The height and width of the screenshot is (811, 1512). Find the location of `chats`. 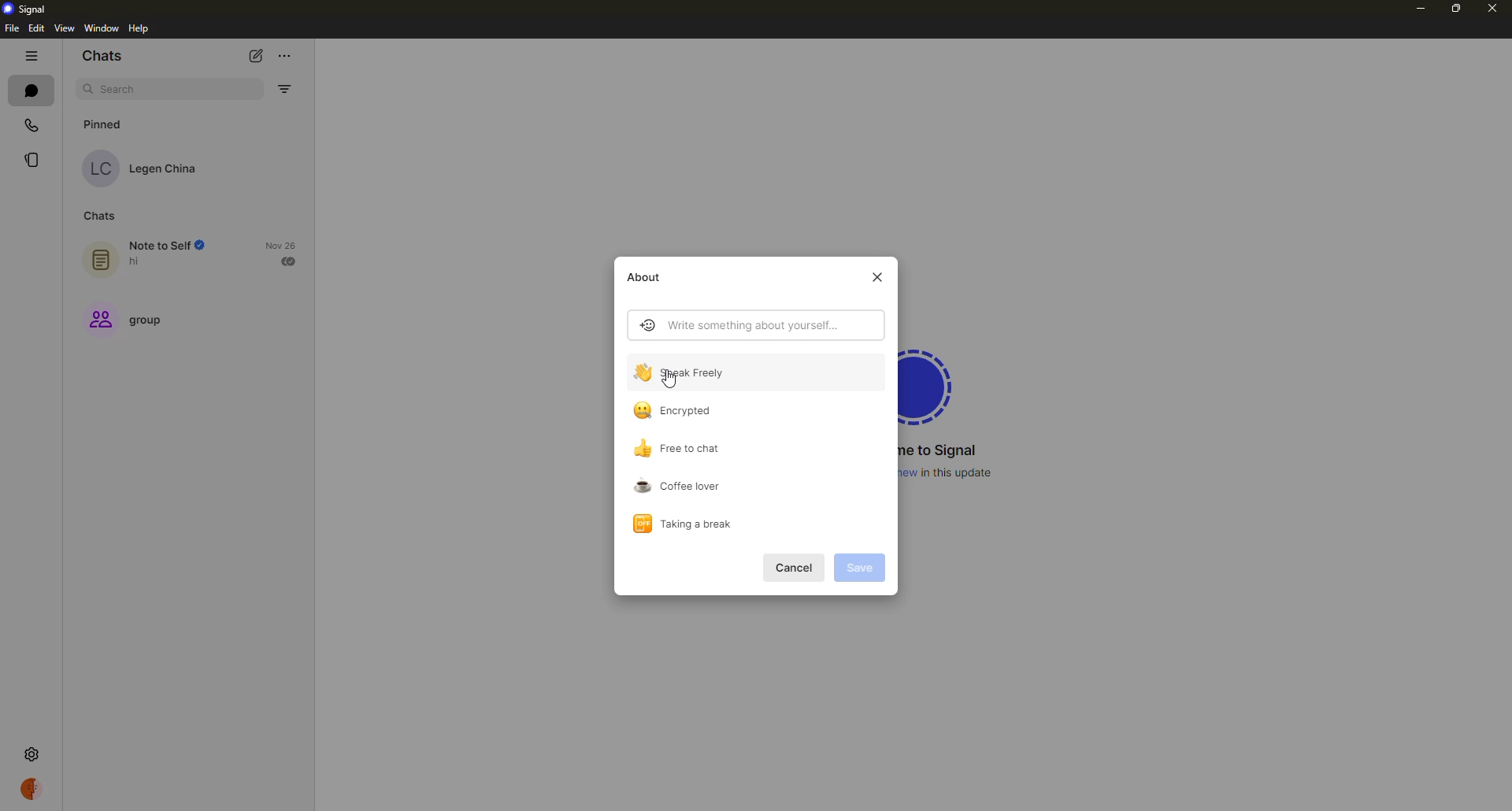

chats is located at coordinates (104, 57).